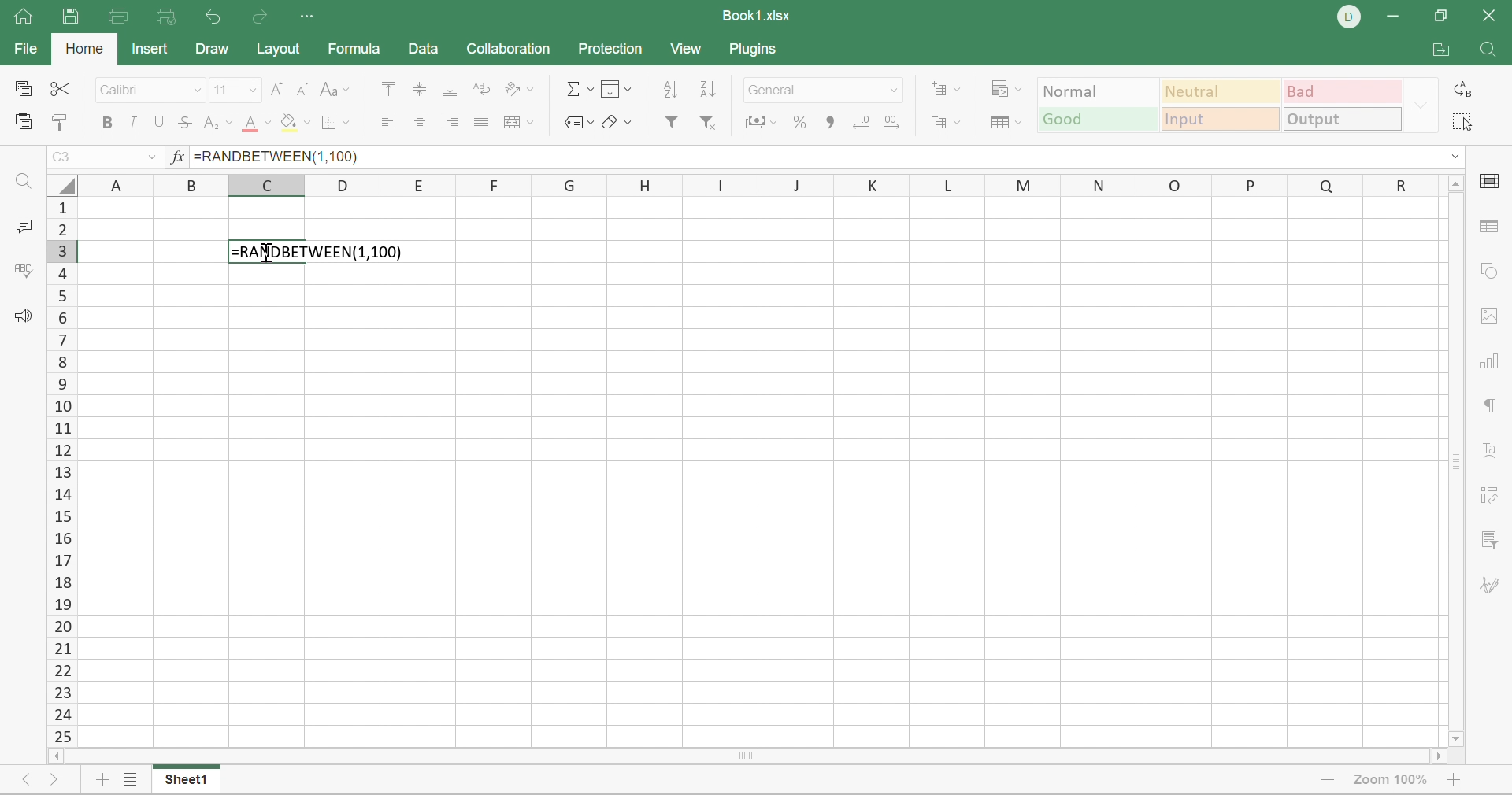 This screenshot has width=1512, height=795. What do you see at coordinates (337, 122) in the screenshot?
I see `Borders` at bounding box center [337, 122].